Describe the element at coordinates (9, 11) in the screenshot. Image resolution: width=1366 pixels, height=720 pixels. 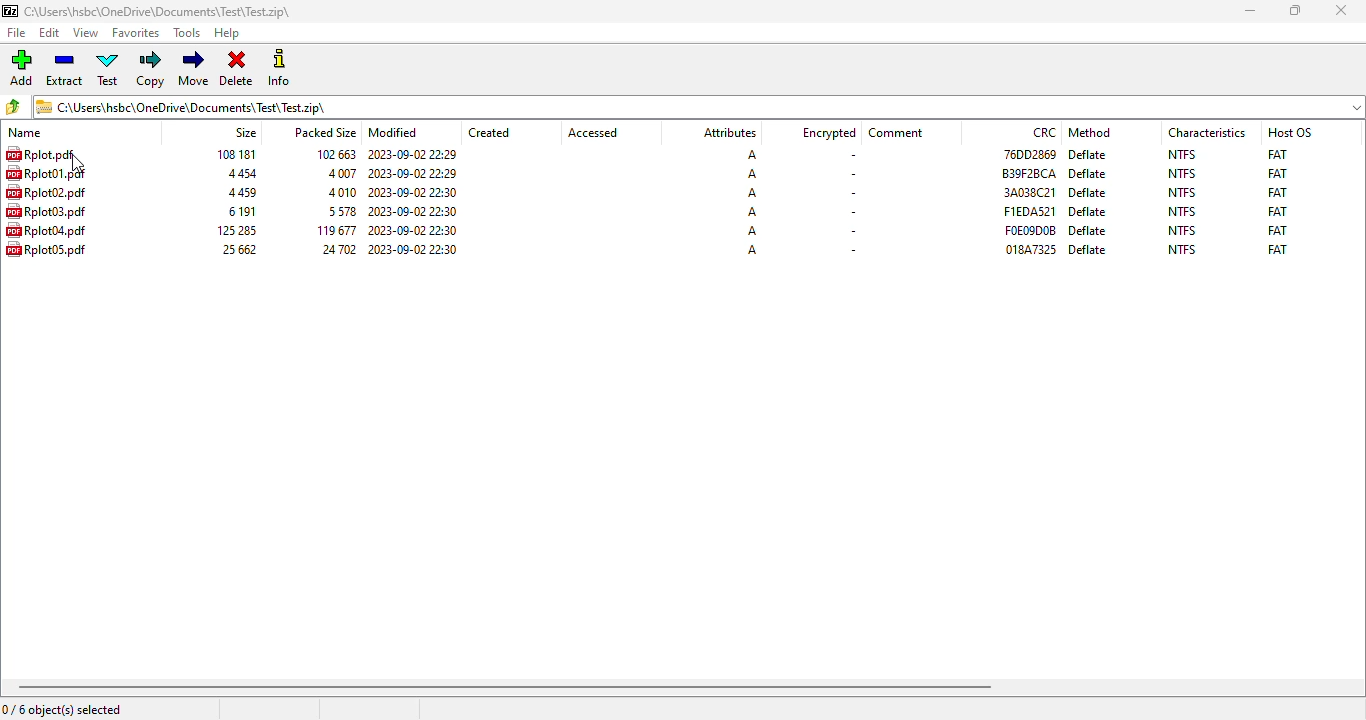
I see `logo` at that location.